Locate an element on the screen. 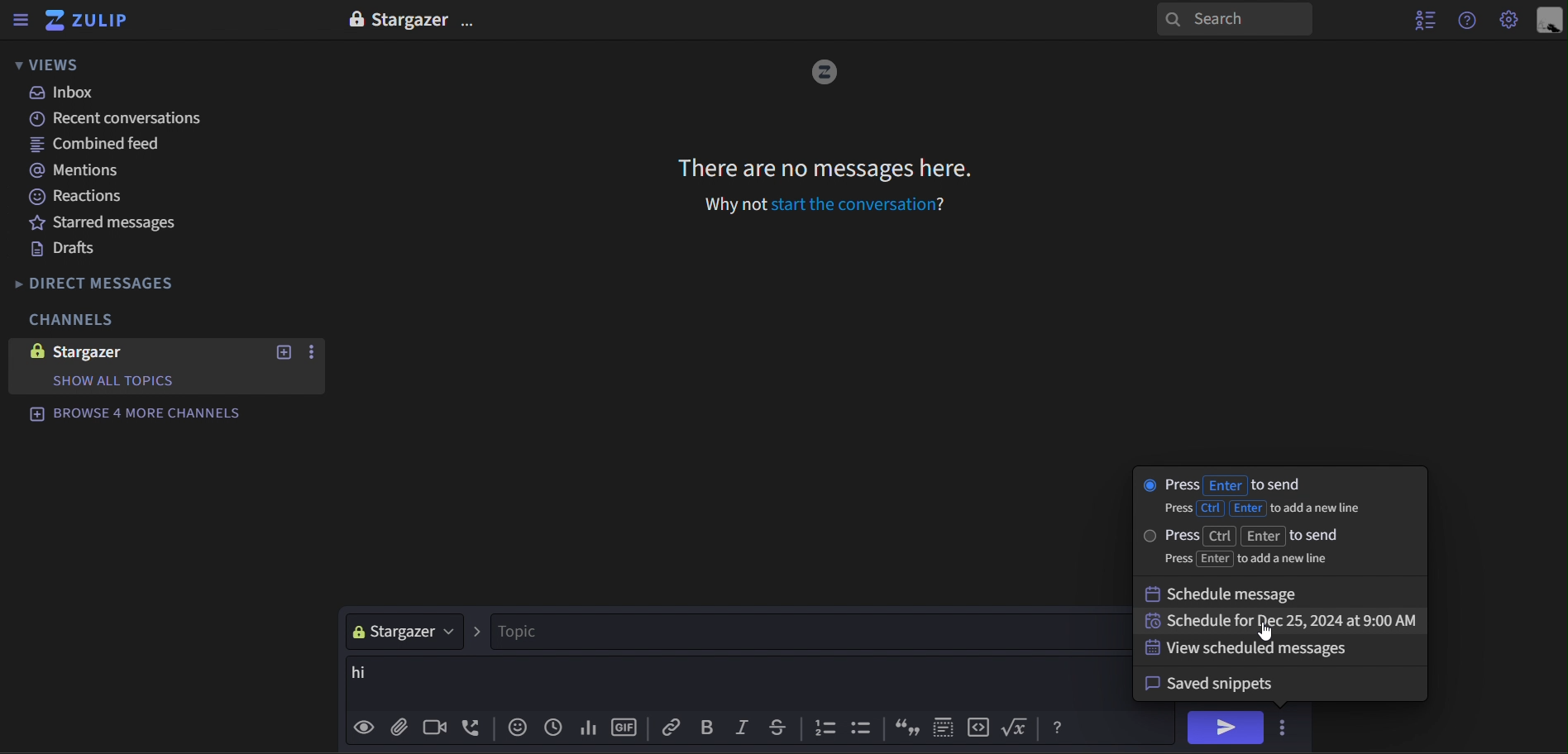 The height and width of the screenshot is (754, 1568). add poll is located at coordinates (586, 728).